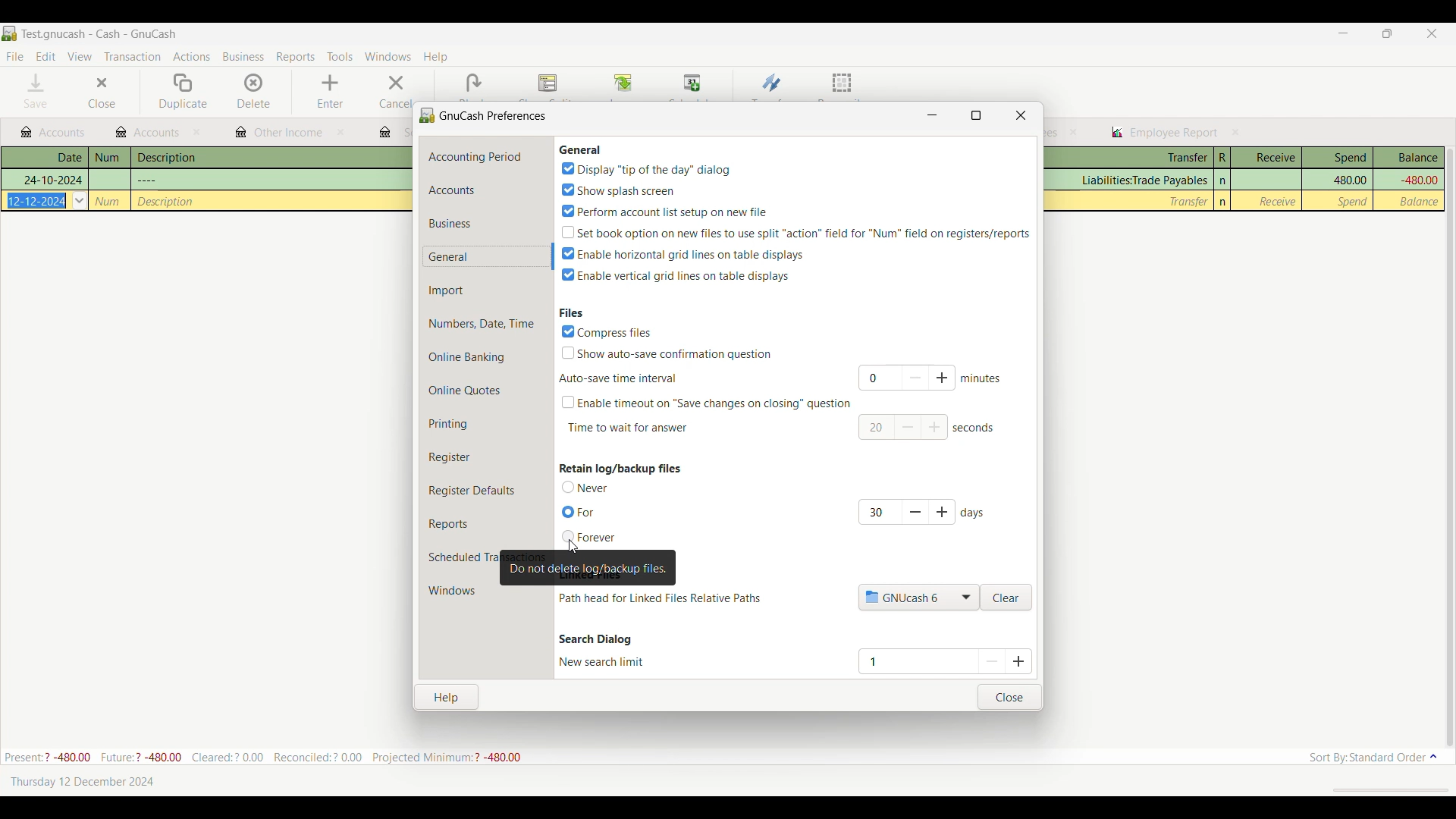 This screenshot has width=1456, height=819. I want to click on show, so click(668, 353).